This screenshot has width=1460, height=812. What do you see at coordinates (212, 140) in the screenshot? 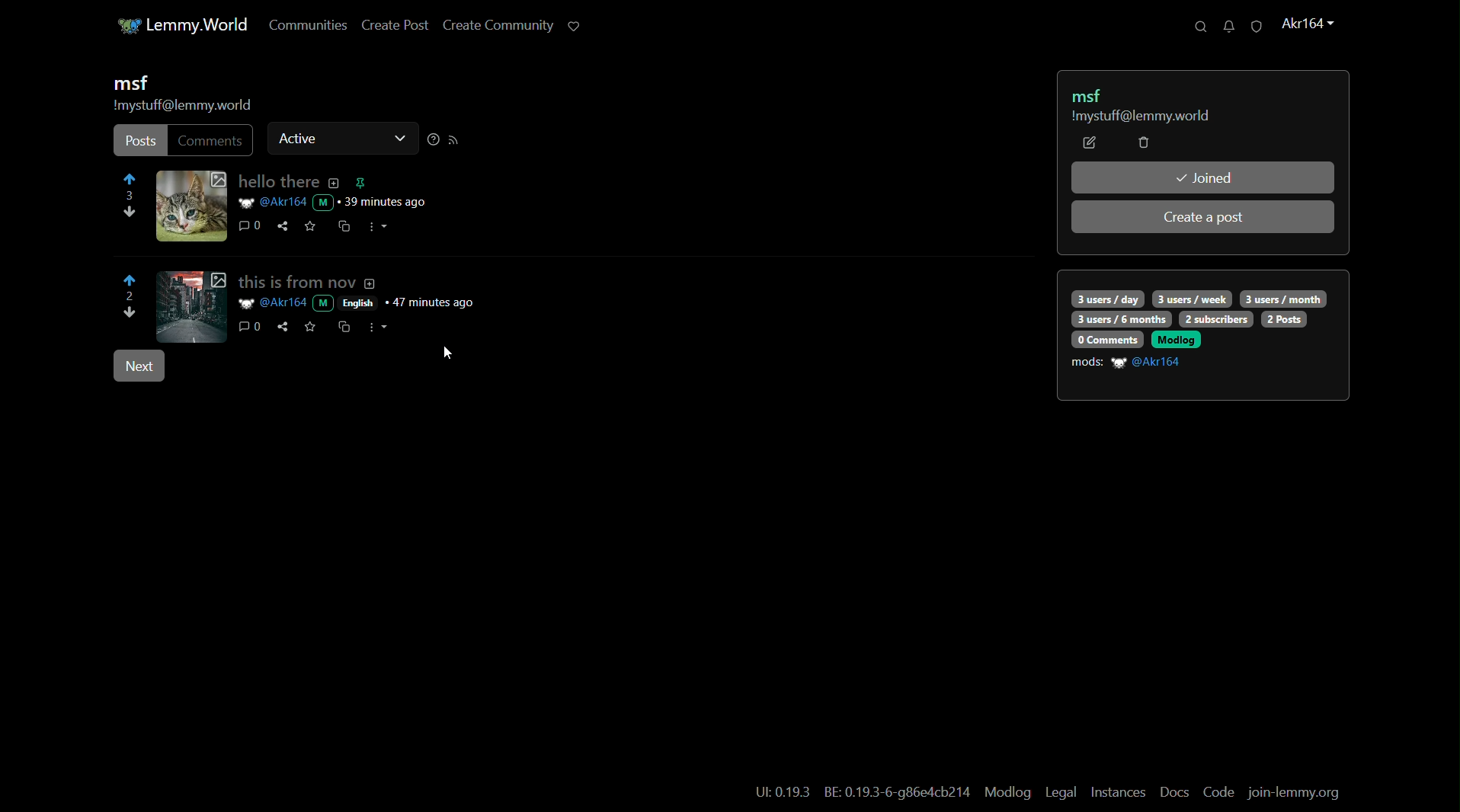
I see `comment` at bounding box center [212, 140].